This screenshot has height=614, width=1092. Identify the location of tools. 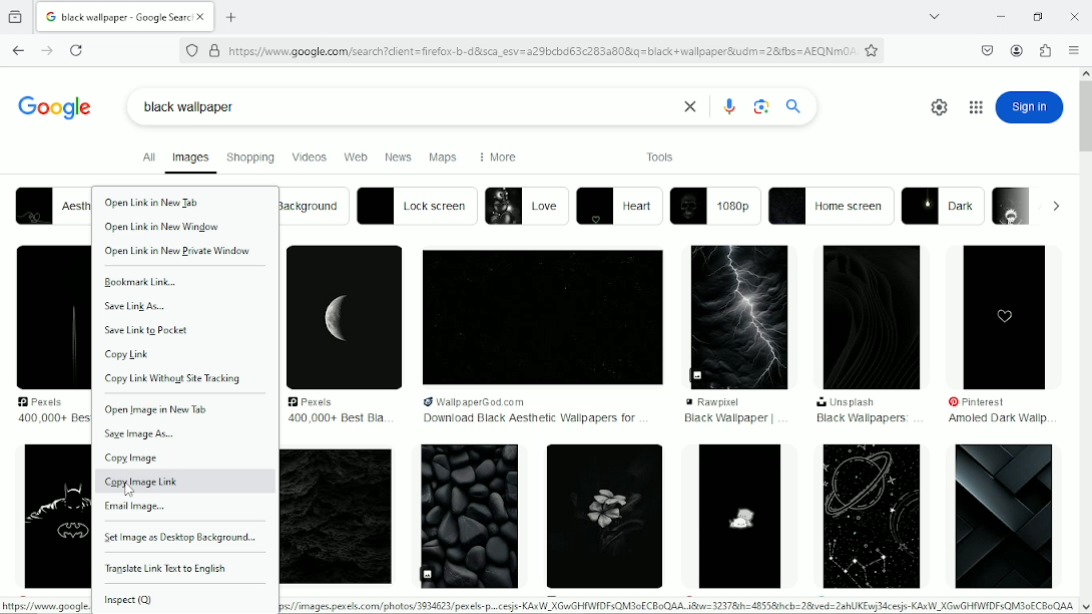
(661, 156).